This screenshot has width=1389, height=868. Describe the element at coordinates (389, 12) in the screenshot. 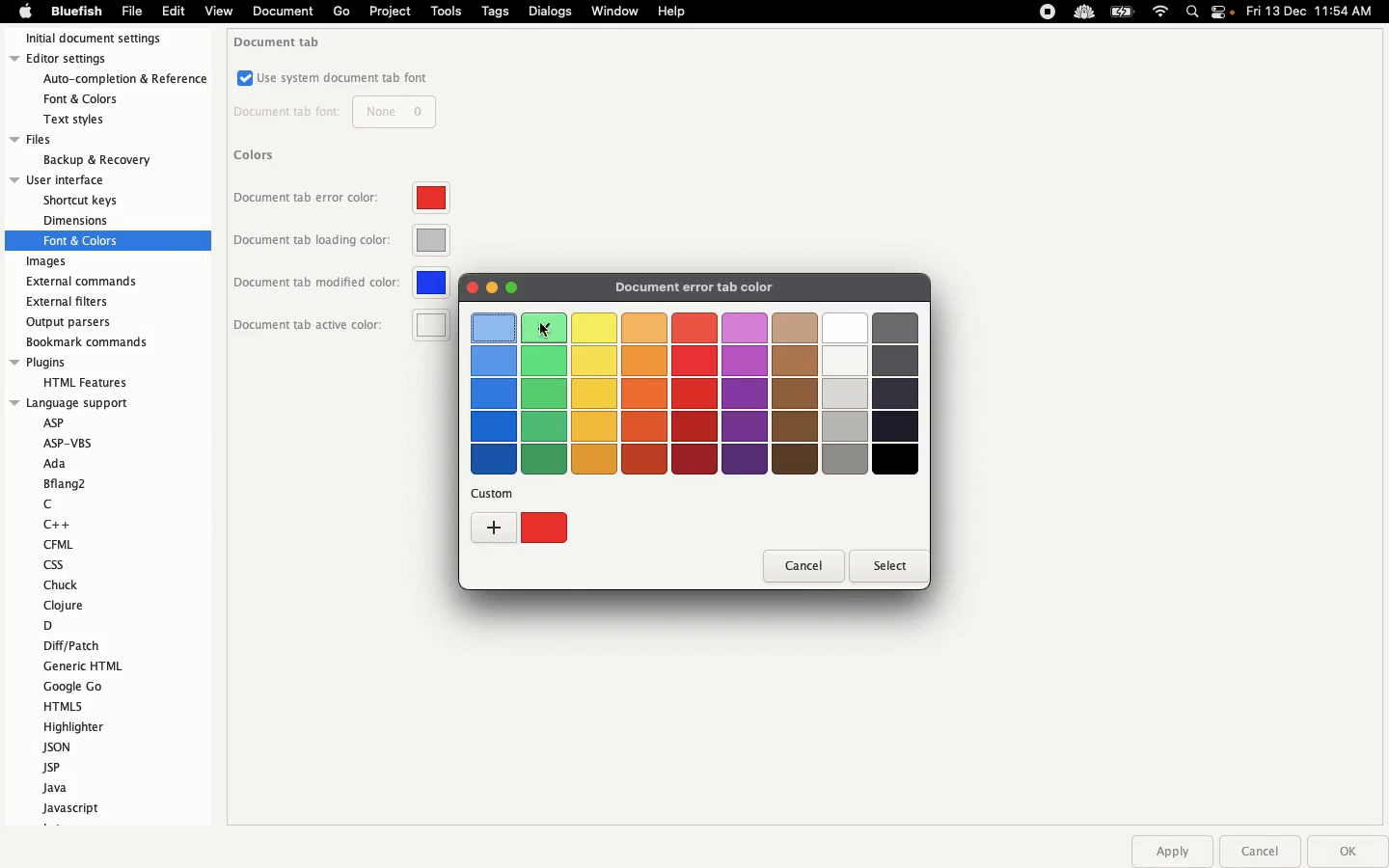

I see `Project` at that location.